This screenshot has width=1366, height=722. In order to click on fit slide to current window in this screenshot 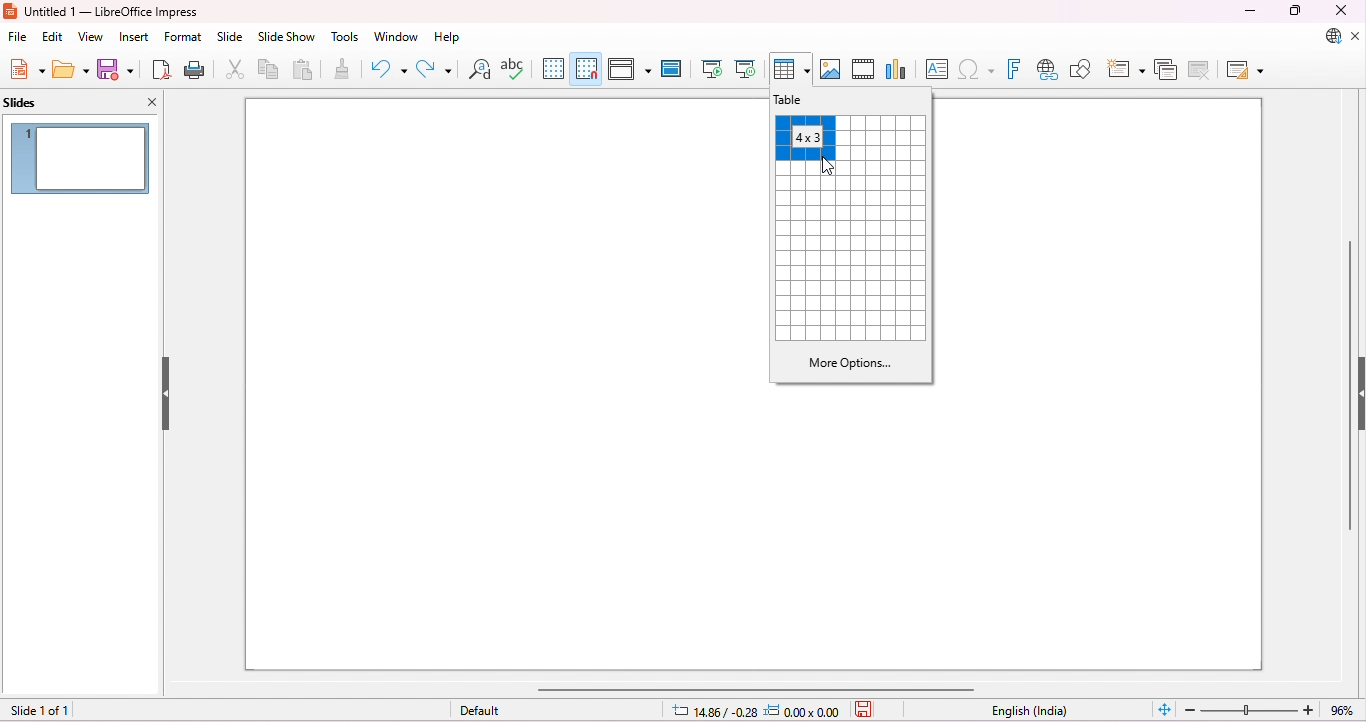, I will do `click(1164, 708)`.